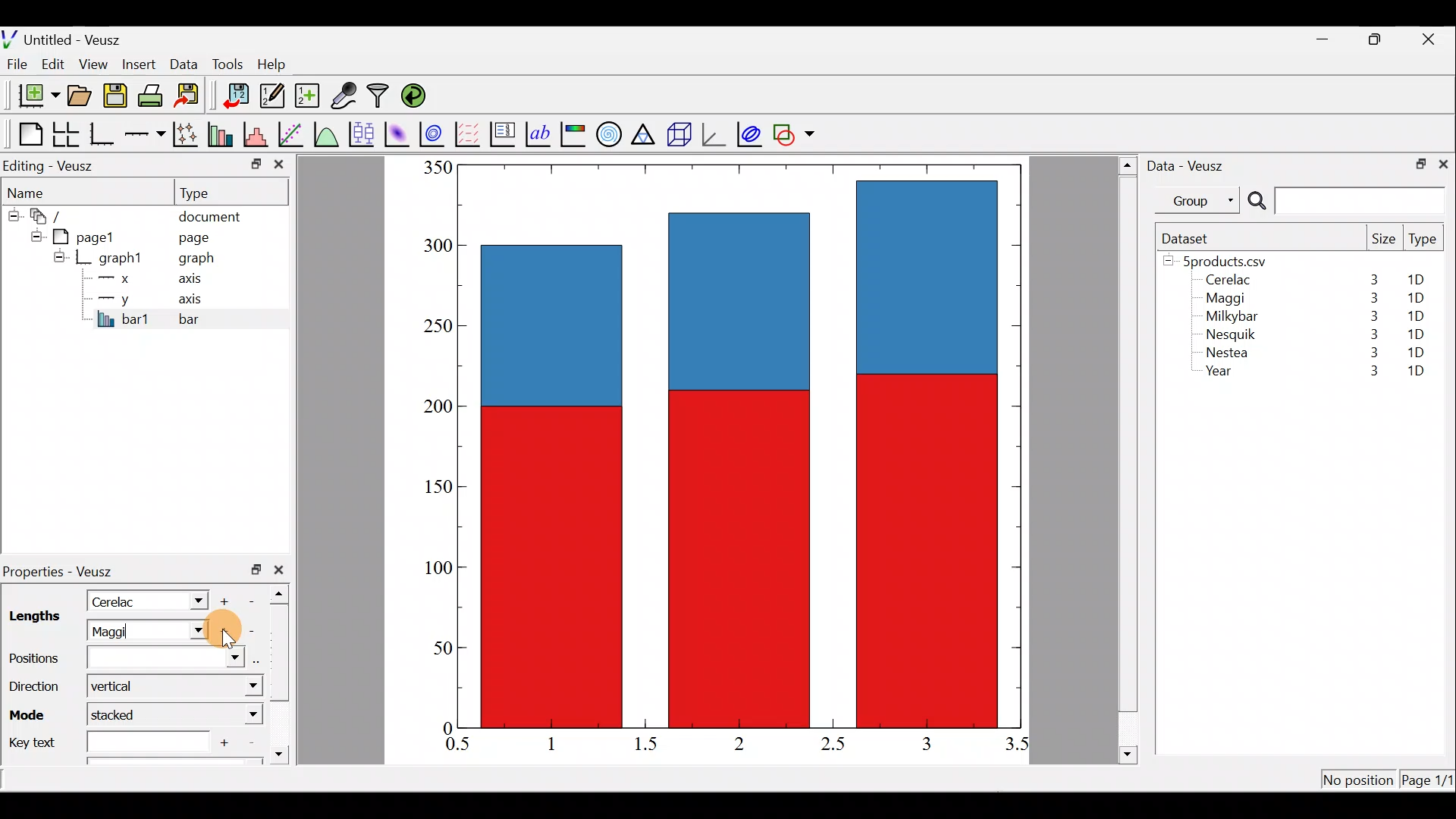 Image resolution: width=1456 pixels, height=819 pixels. I want to click on Capture remote data, so click(345, 96).